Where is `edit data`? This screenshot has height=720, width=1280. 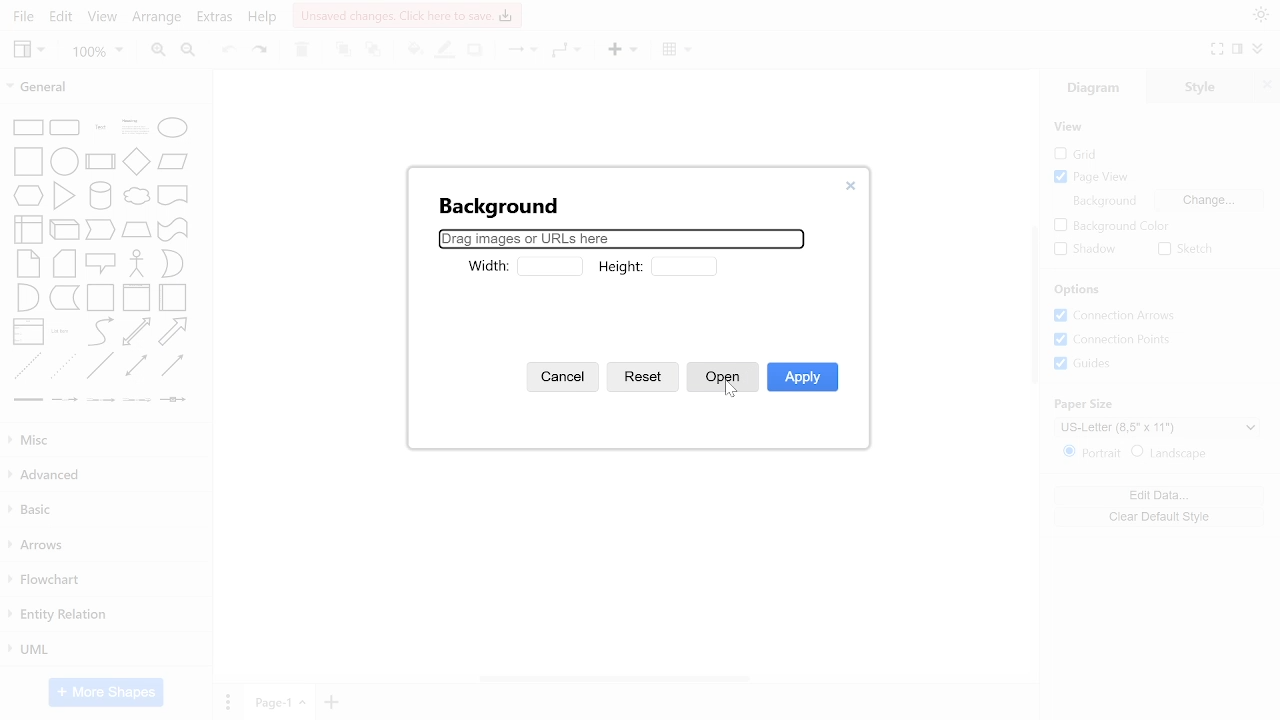 edit data is located at coordinates (1162, 495).